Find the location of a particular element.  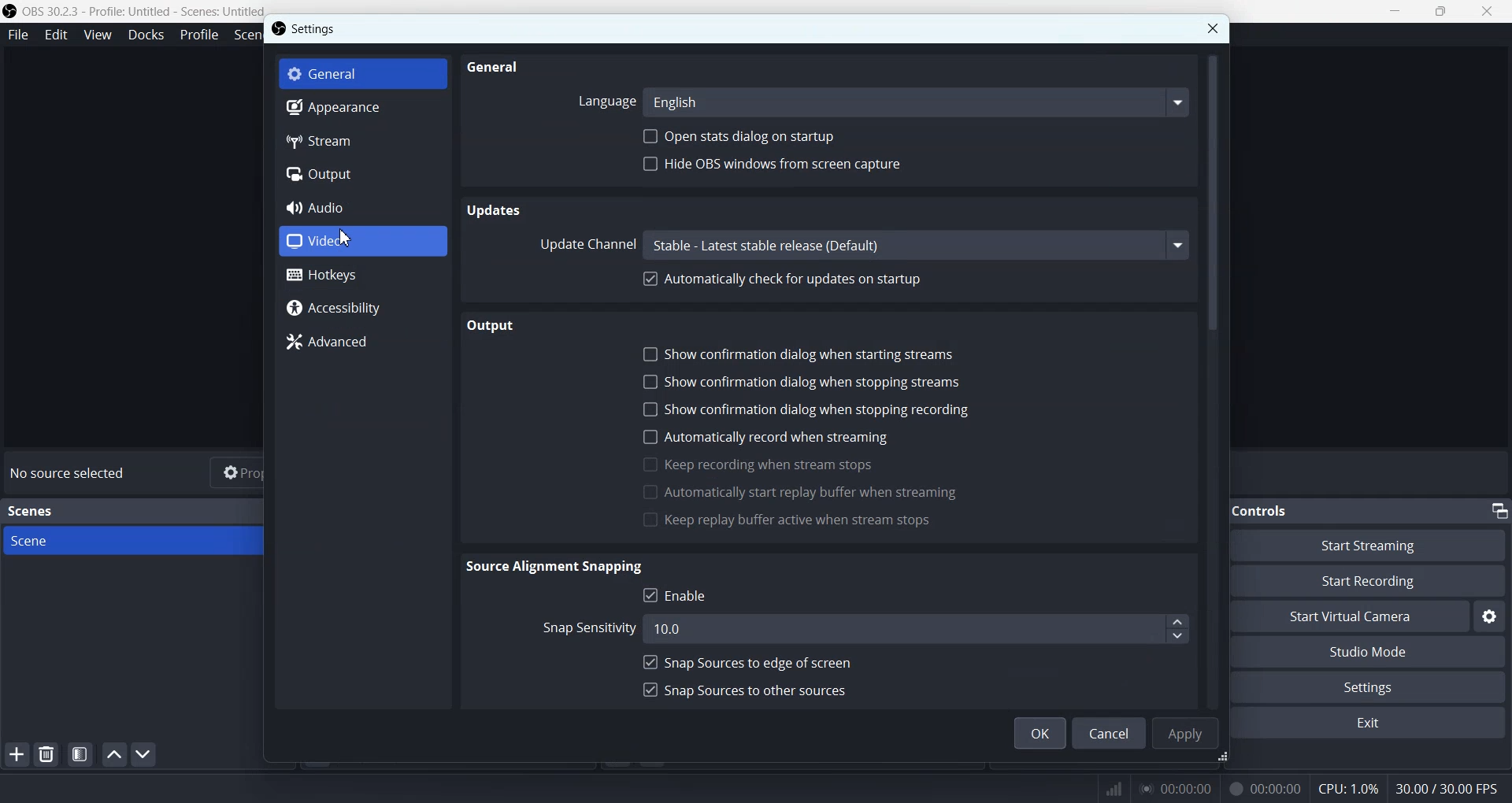

Automatically record when streaming is located at coordinates (780, 437).